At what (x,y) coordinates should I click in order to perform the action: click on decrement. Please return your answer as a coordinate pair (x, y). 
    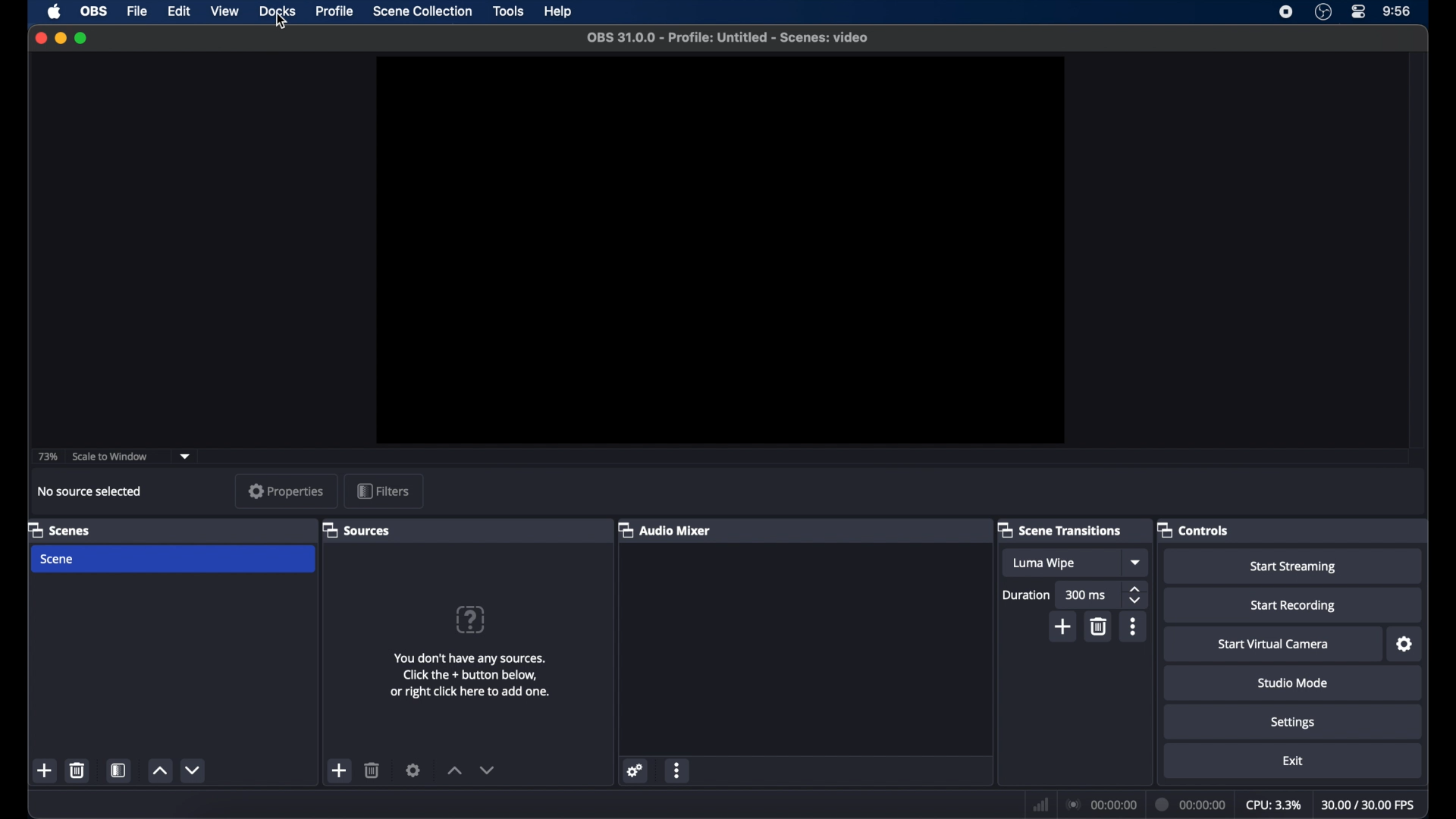
    Looking at the image, I should click on (193, 770).